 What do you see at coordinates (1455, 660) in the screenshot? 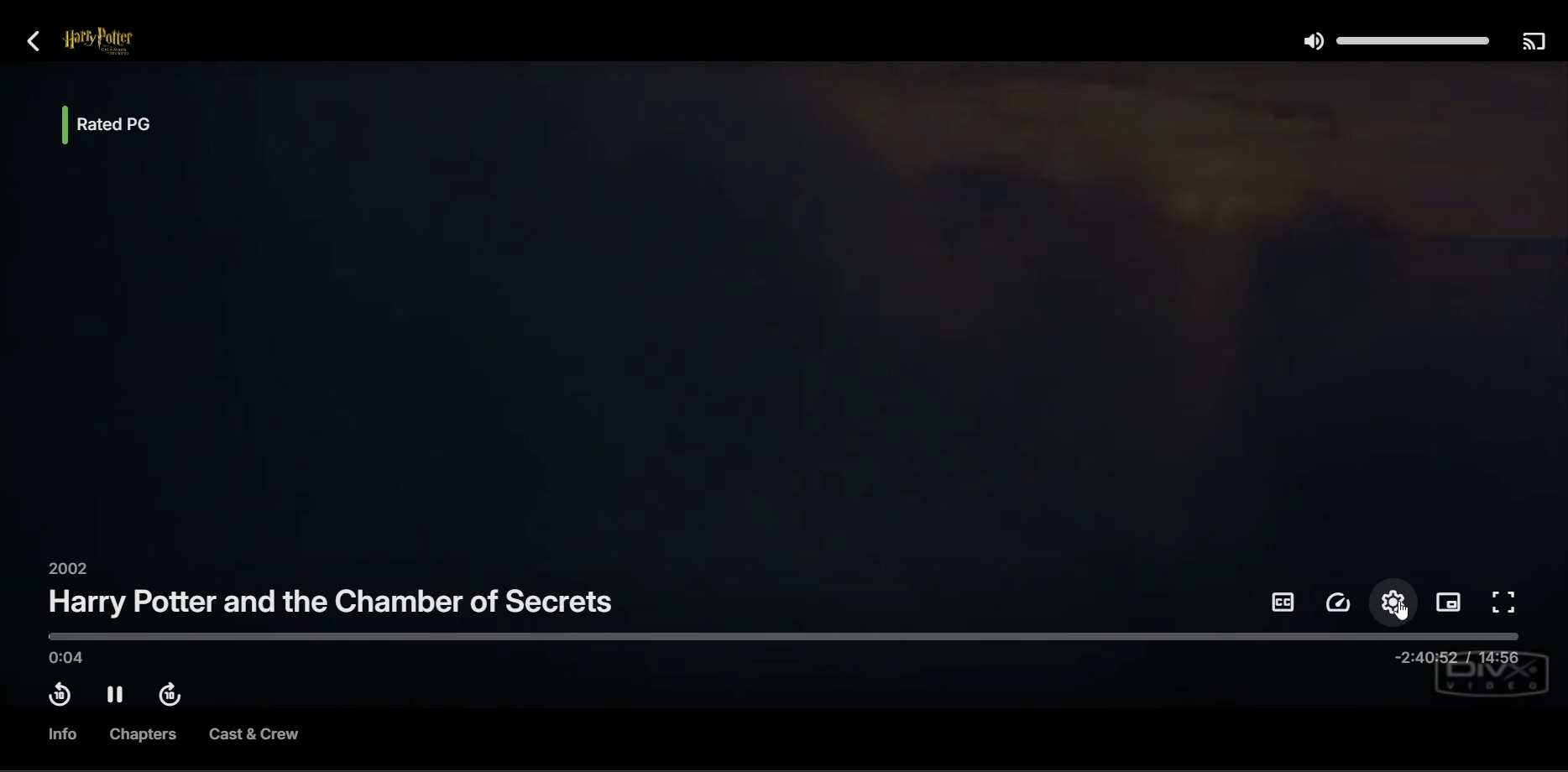
I see `Remaining Time` at bounding box center [1455, 660].